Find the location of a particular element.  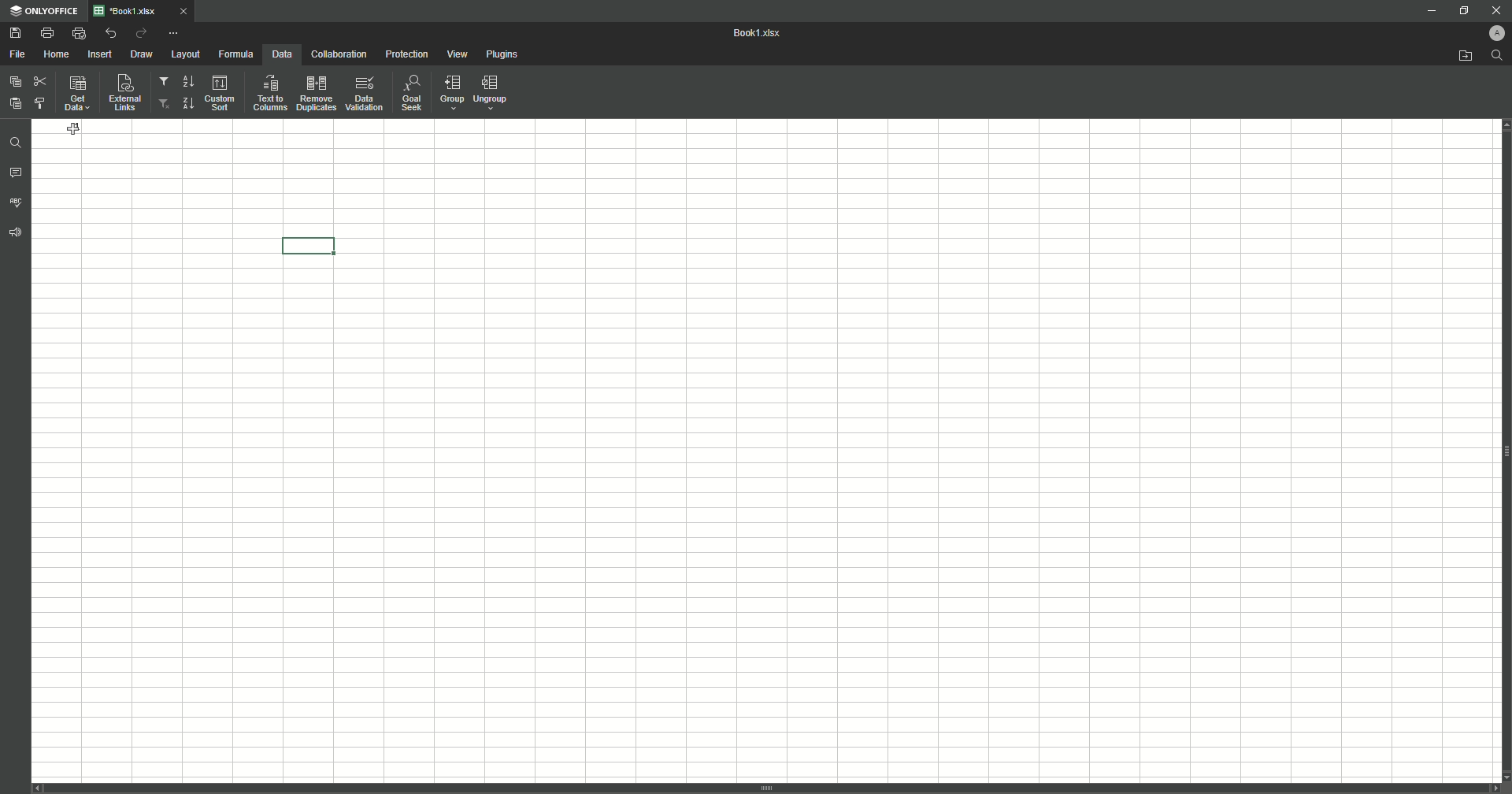

Book1 is located at coordinates (762, 34).